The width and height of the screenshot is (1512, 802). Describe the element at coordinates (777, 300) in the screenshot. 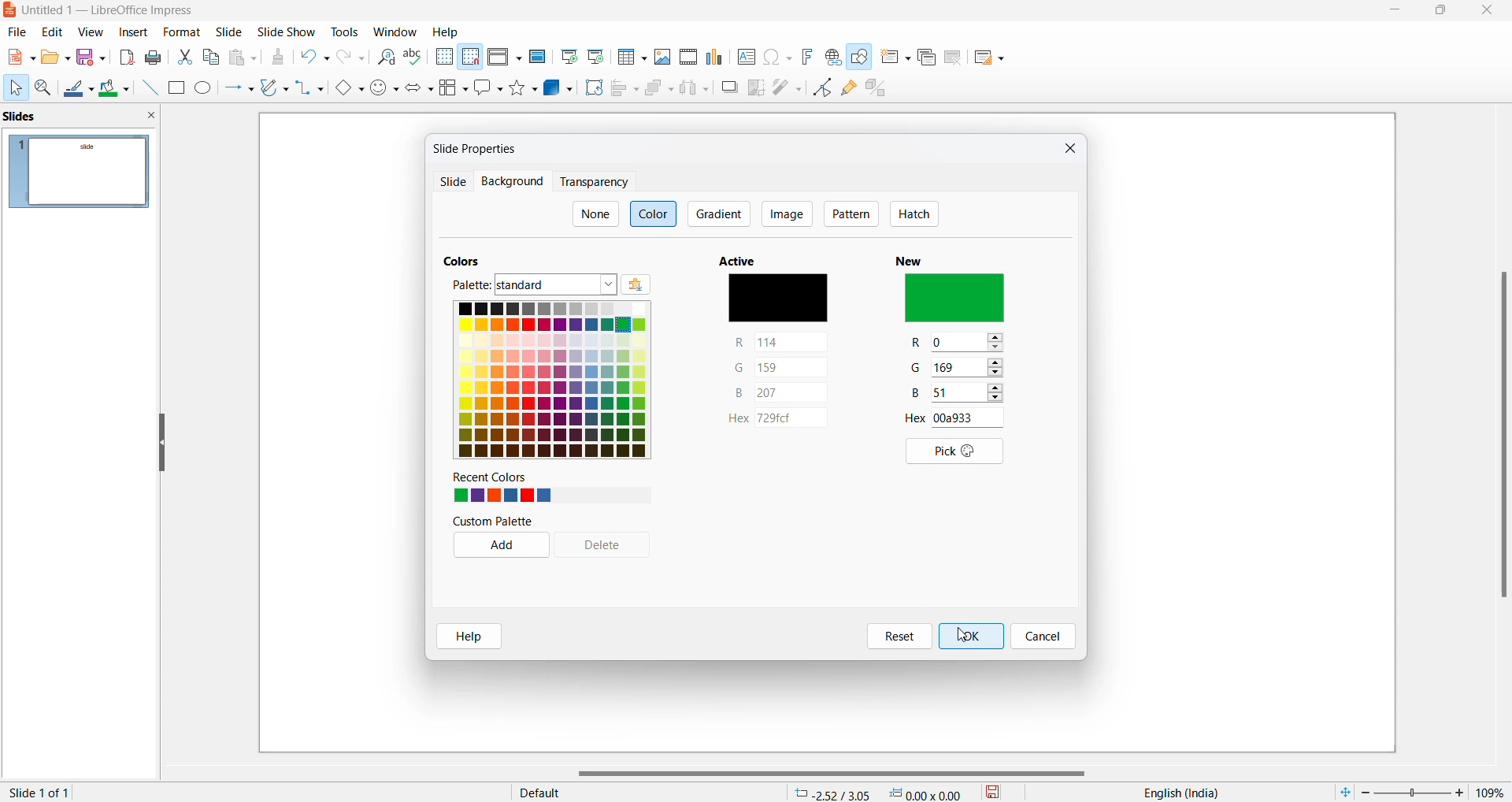

I see `current color preview` at that location.